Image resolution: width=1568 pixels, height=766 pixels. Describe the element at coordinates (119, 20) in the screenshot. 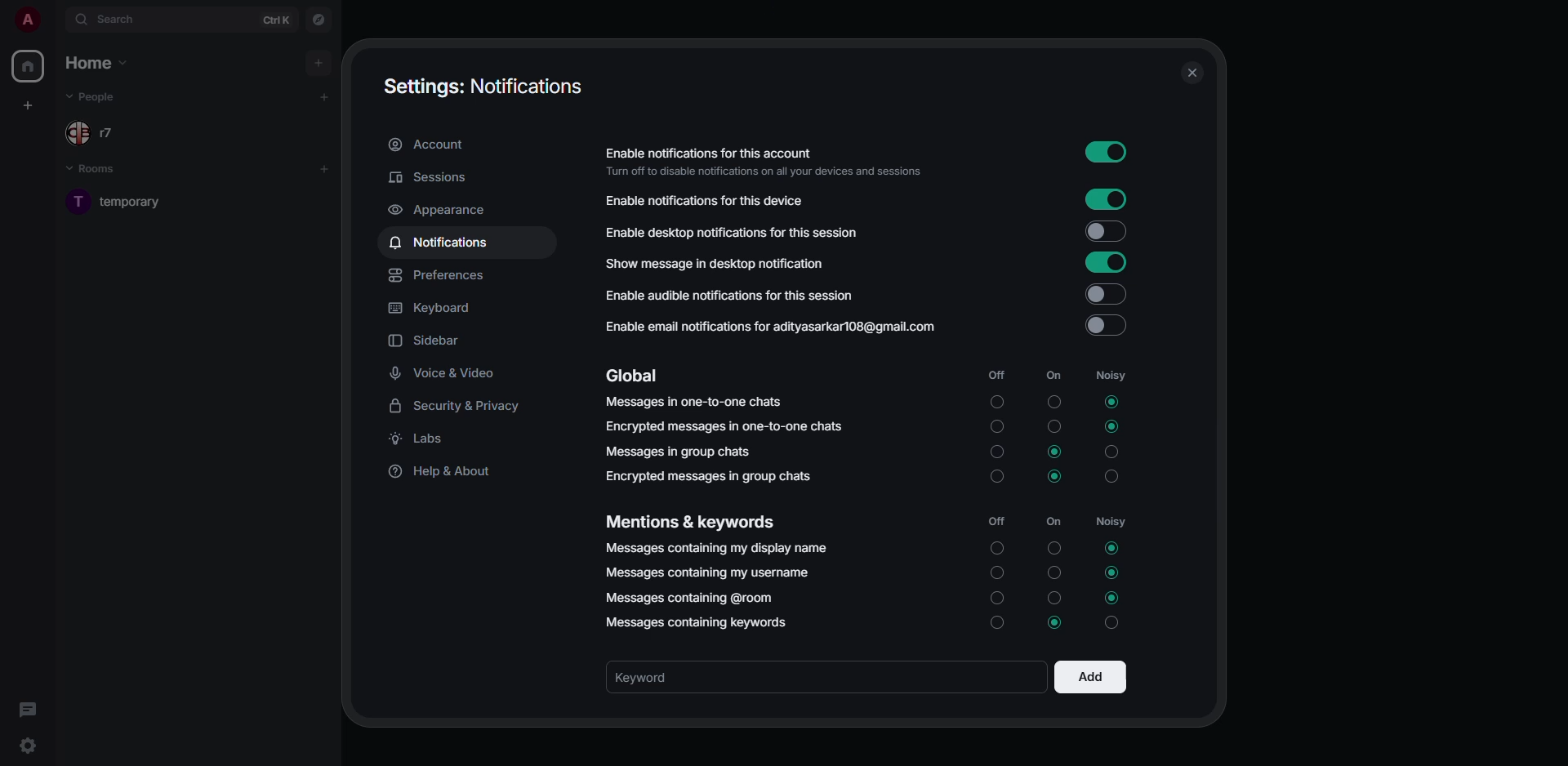

I see `search` at that location.